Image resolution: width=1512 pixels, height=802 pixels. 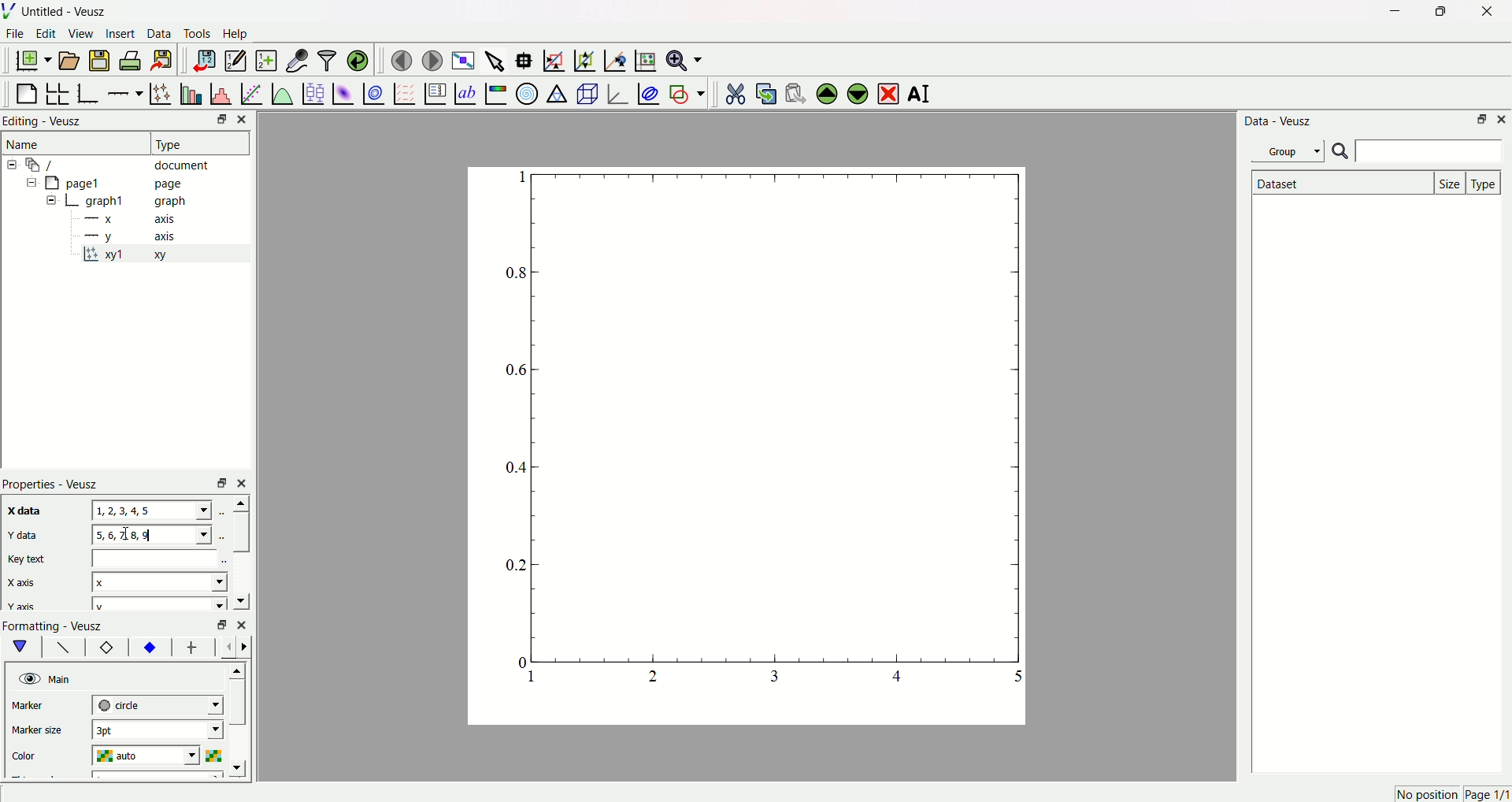 What do you see at coordinates (527, 91) in the screenshot?
I see `polar graphs` at bounding box center [527, 91].